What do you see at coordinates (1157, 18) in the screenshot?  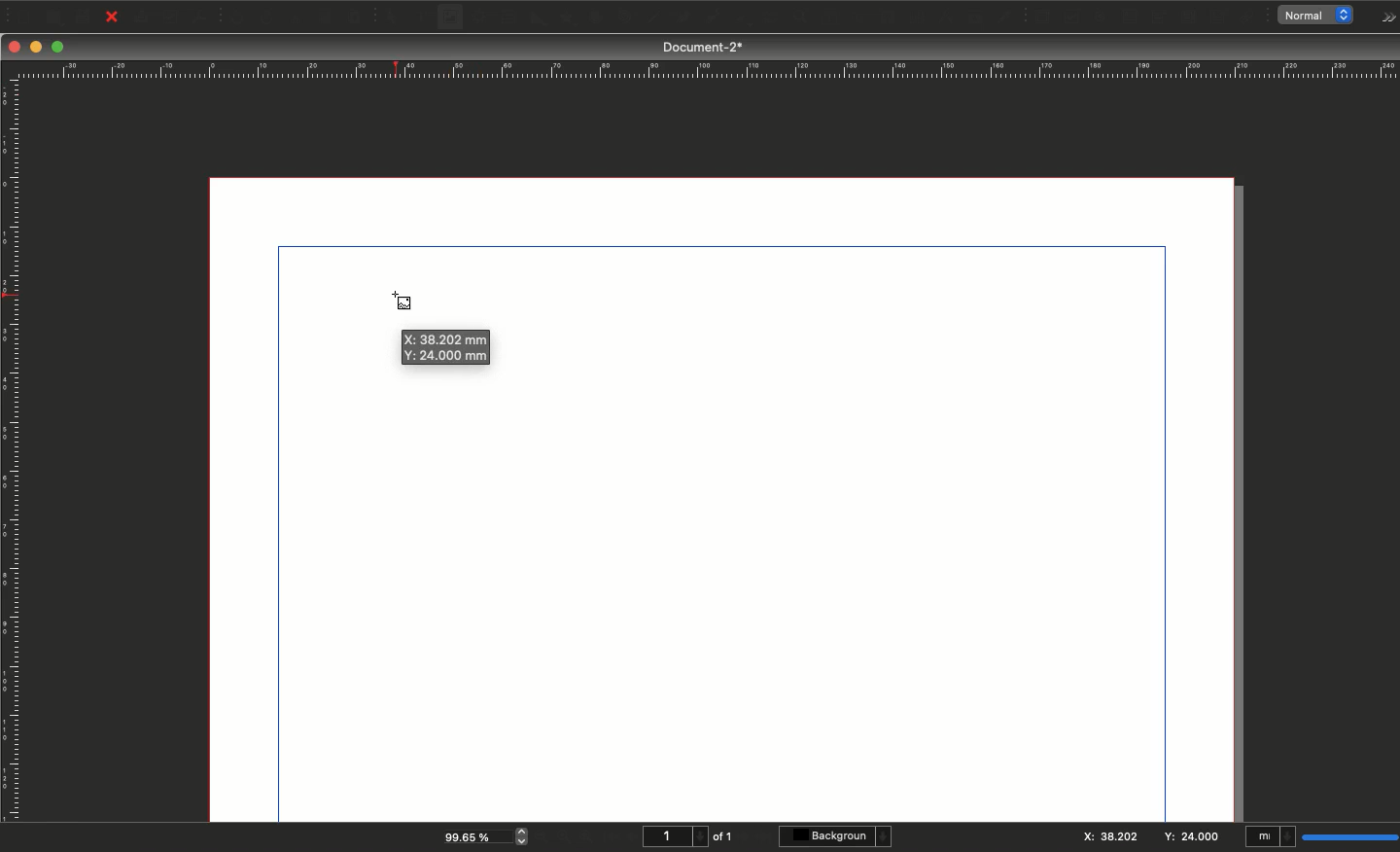 I see `PDF combo box` at bounding box center [1157, 18].